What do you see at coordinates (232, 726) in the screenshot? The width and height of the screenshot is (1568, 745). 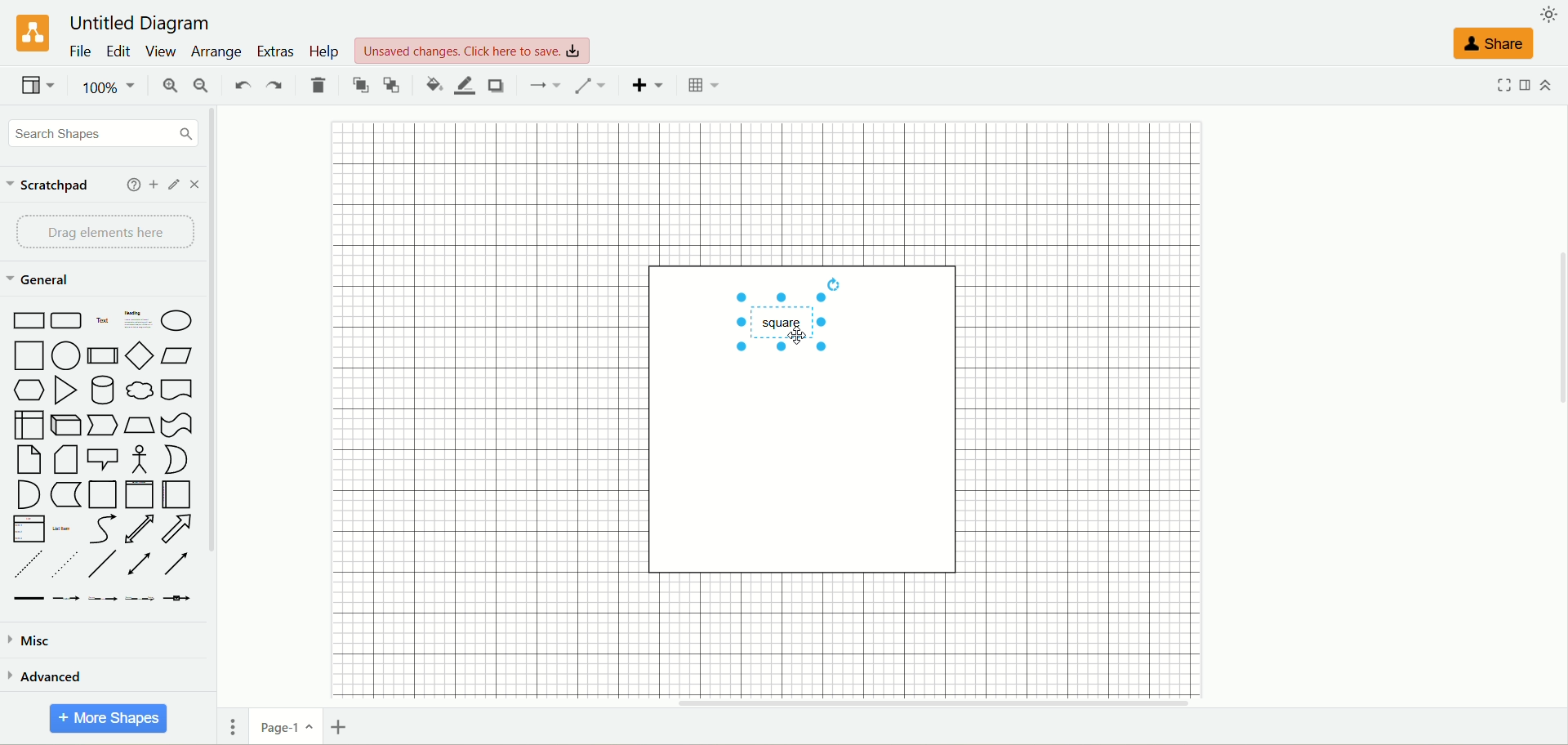 I see `pages` at bounding box center [232, 726].